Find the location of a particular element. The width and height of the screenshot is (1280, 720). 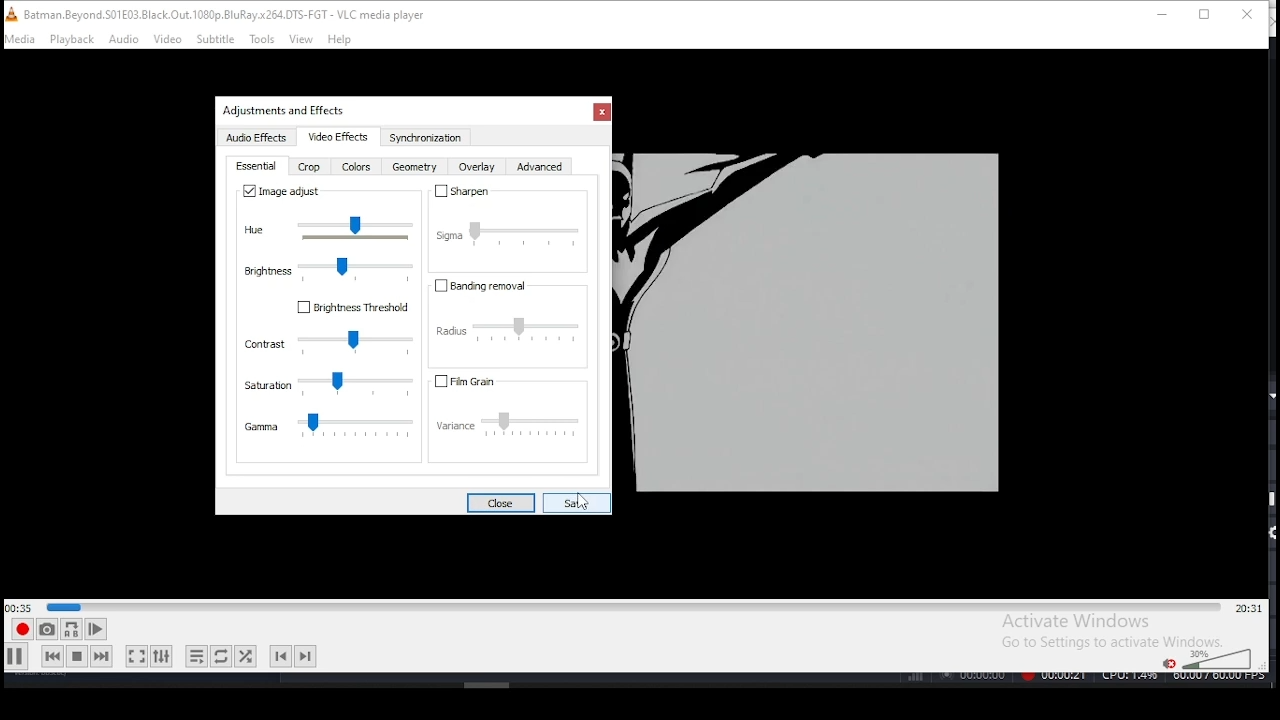

video effects is located at coordinates (335, 137).